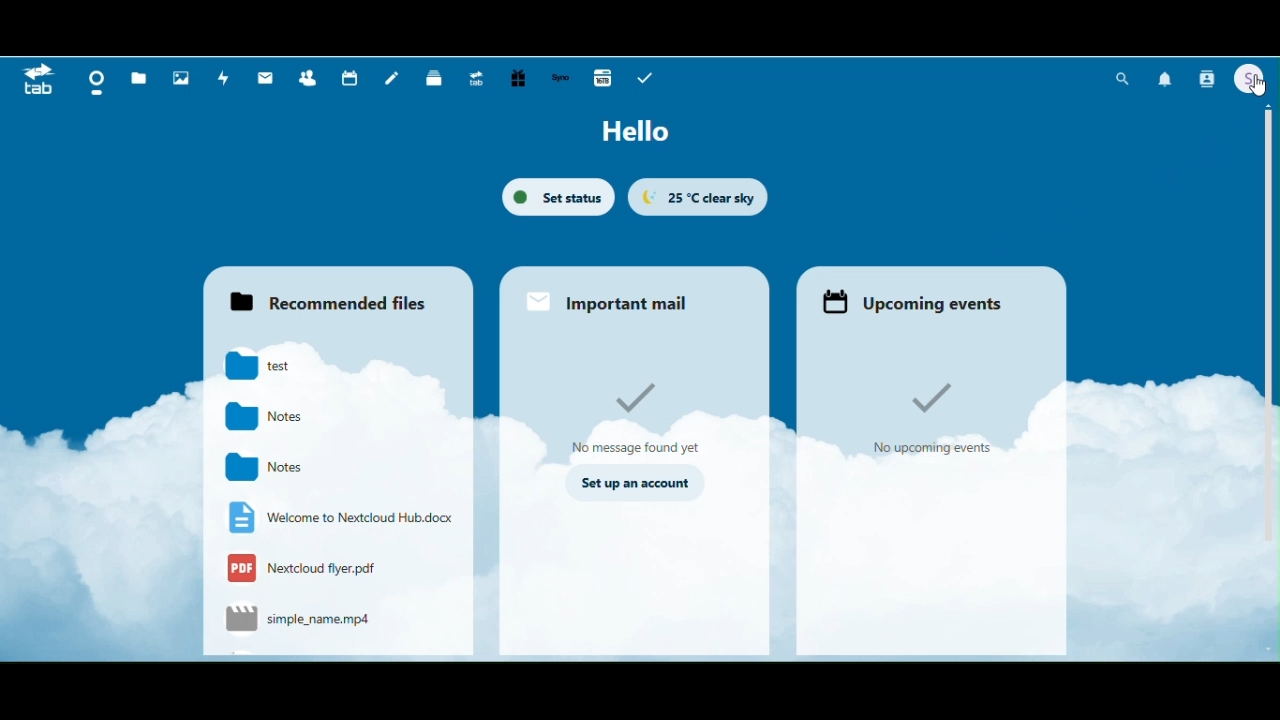 The width and height of the screenshot is (1280, 720). Describe the element at coordinates (698, 197) in the screenshot. I see `25 °C clear sky` at that location.